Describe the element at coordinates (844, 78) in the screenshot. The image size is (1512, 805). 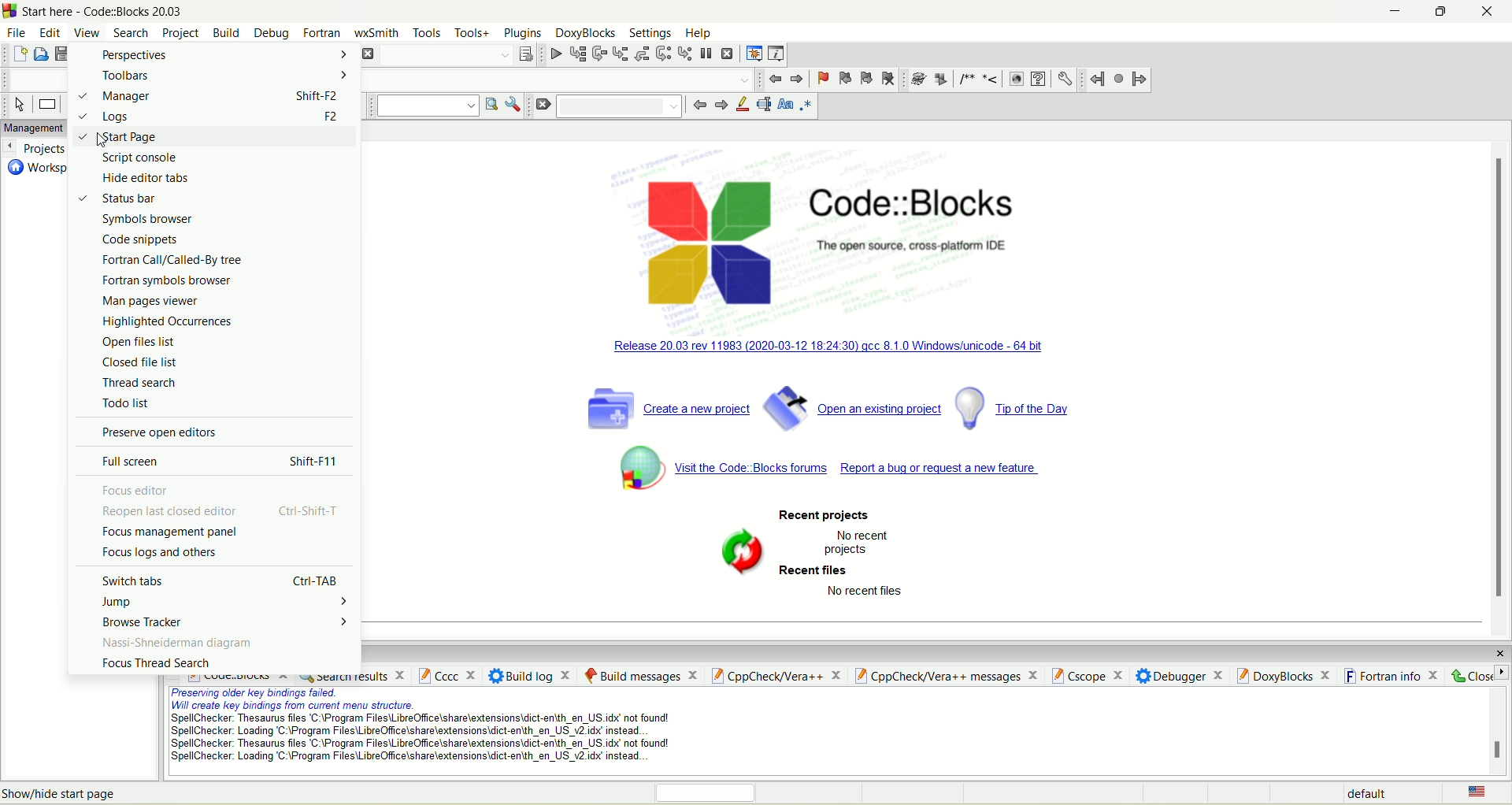
I see `prev bookmark` at that location.